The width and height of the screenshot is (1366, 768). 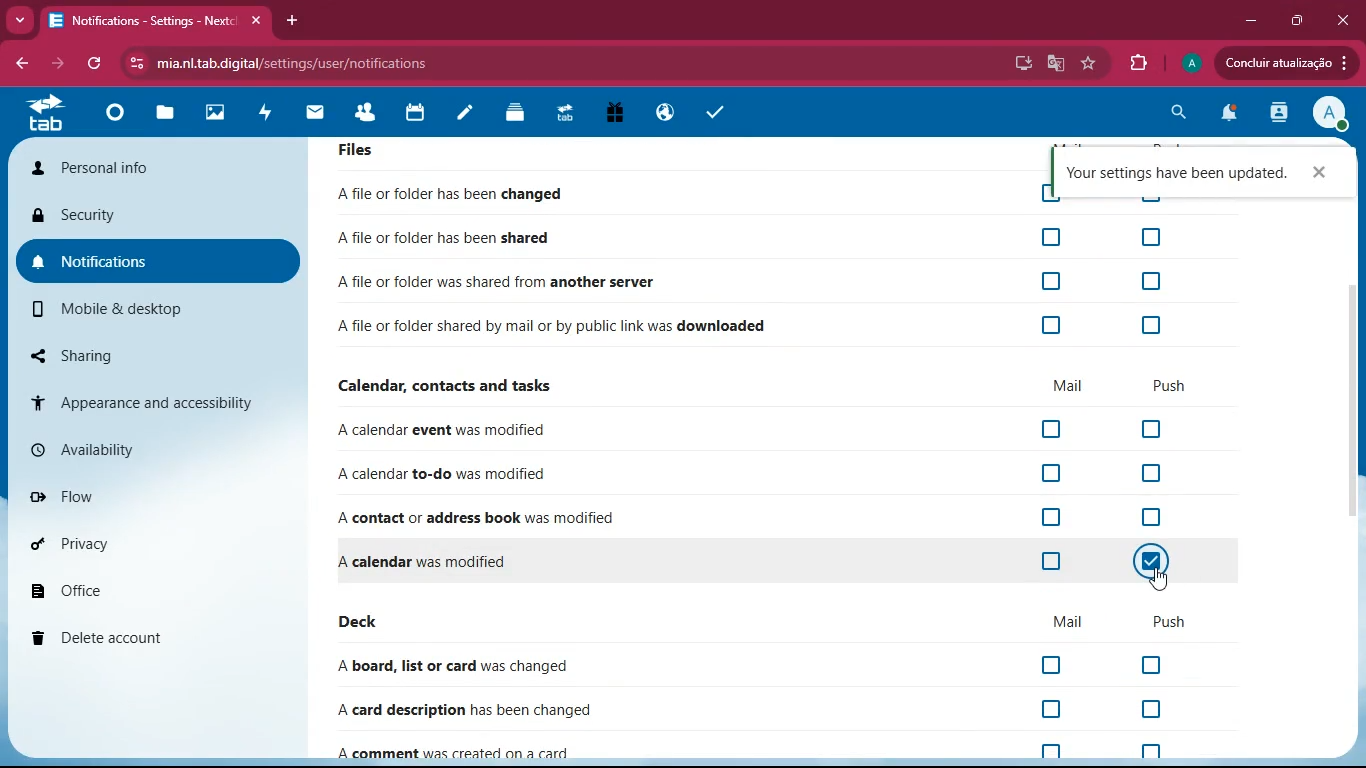 What do you see at coordinates (1157, 326) in the screenshot?
I see `Checkbox` at bounding box center [1157, 326].